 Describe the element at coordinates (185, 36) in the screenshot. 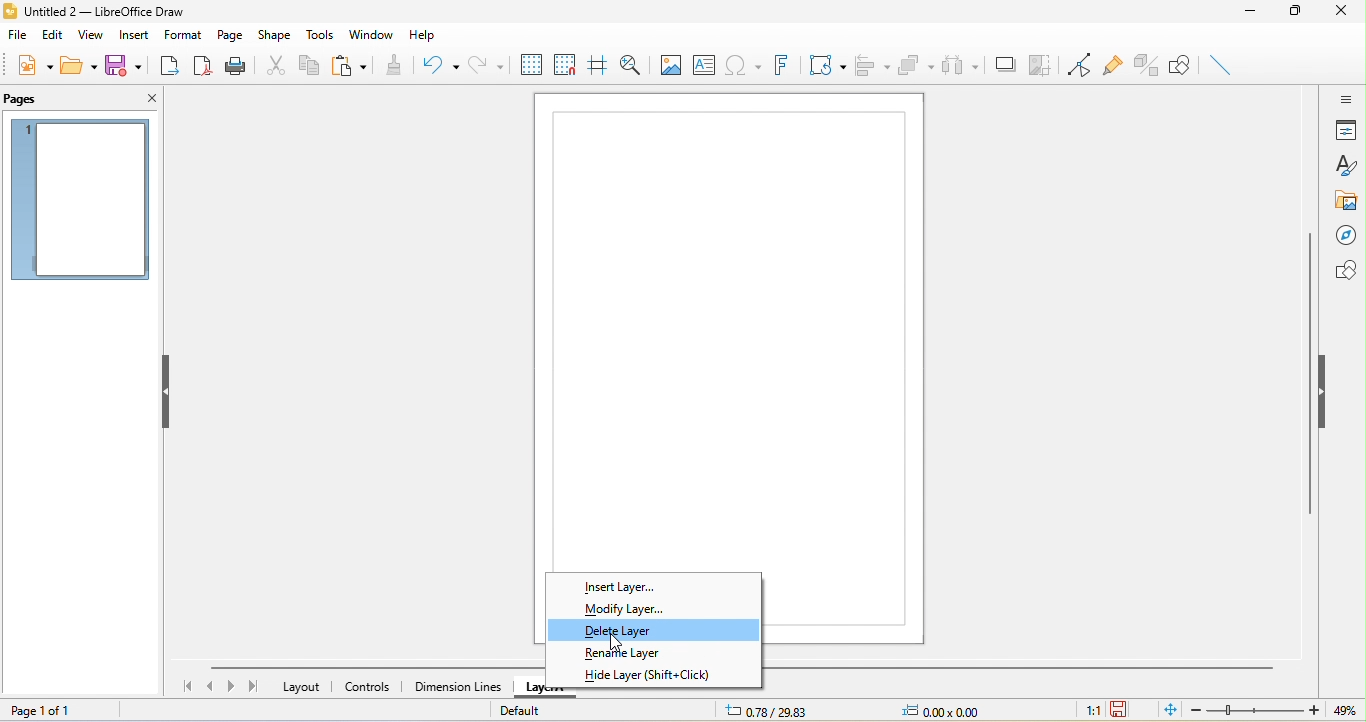

I see `format` at that location.